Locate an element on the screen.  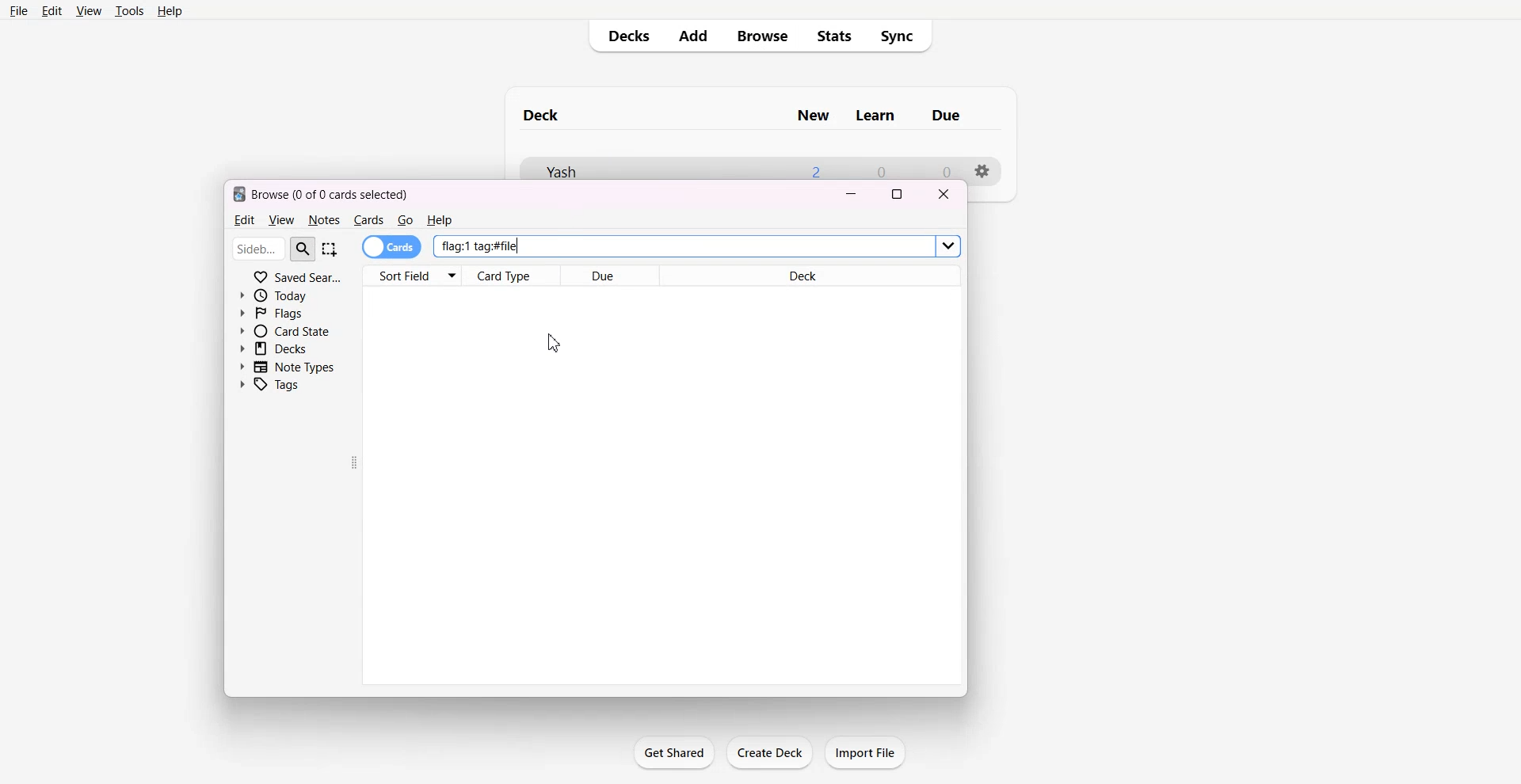
flag: 1 tag:#file is located at coordinates (696, 244).